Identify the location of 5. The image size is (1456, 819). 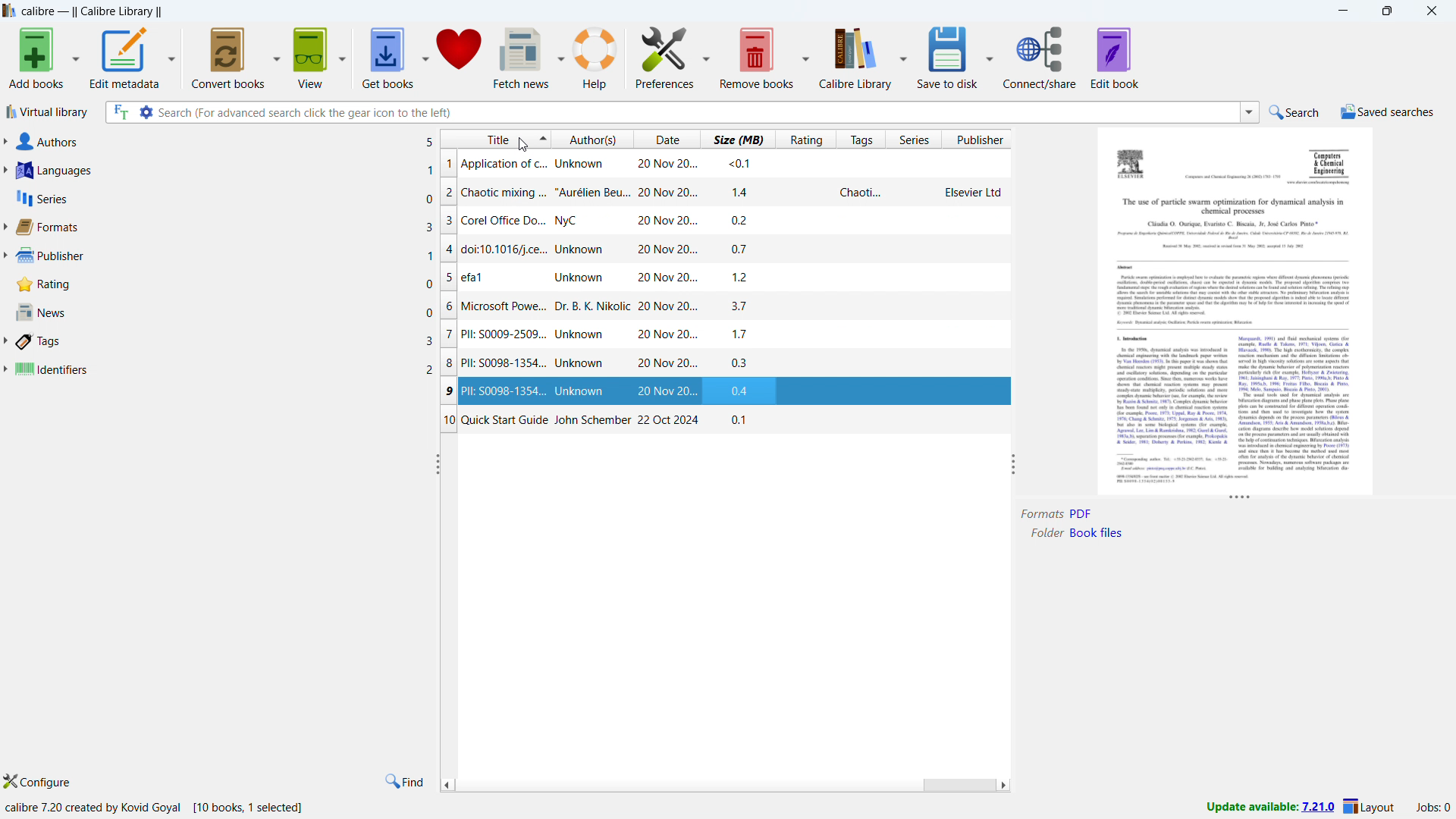
(449, 276).